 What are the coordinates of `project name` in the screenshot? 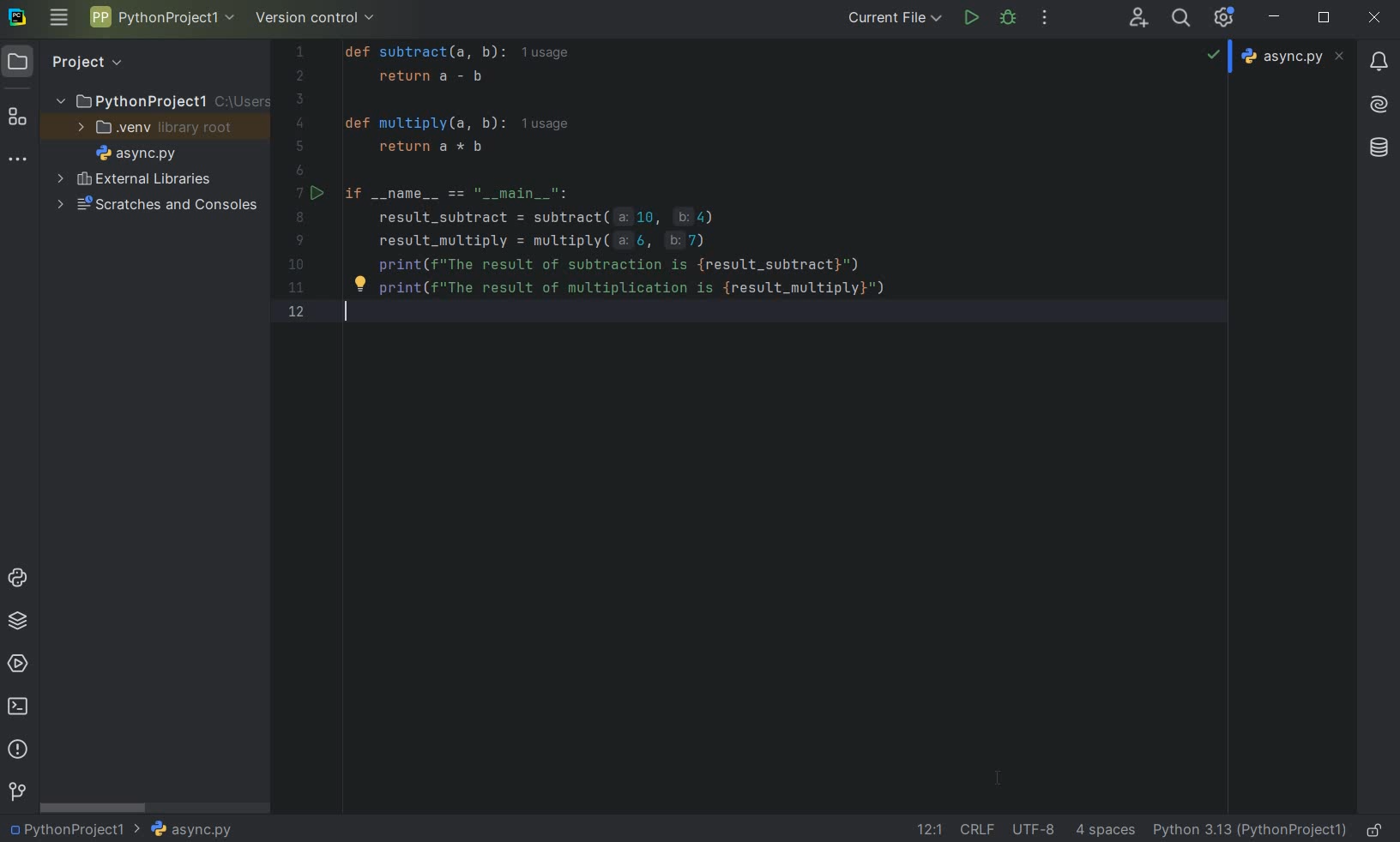 It's located at (132, 98).